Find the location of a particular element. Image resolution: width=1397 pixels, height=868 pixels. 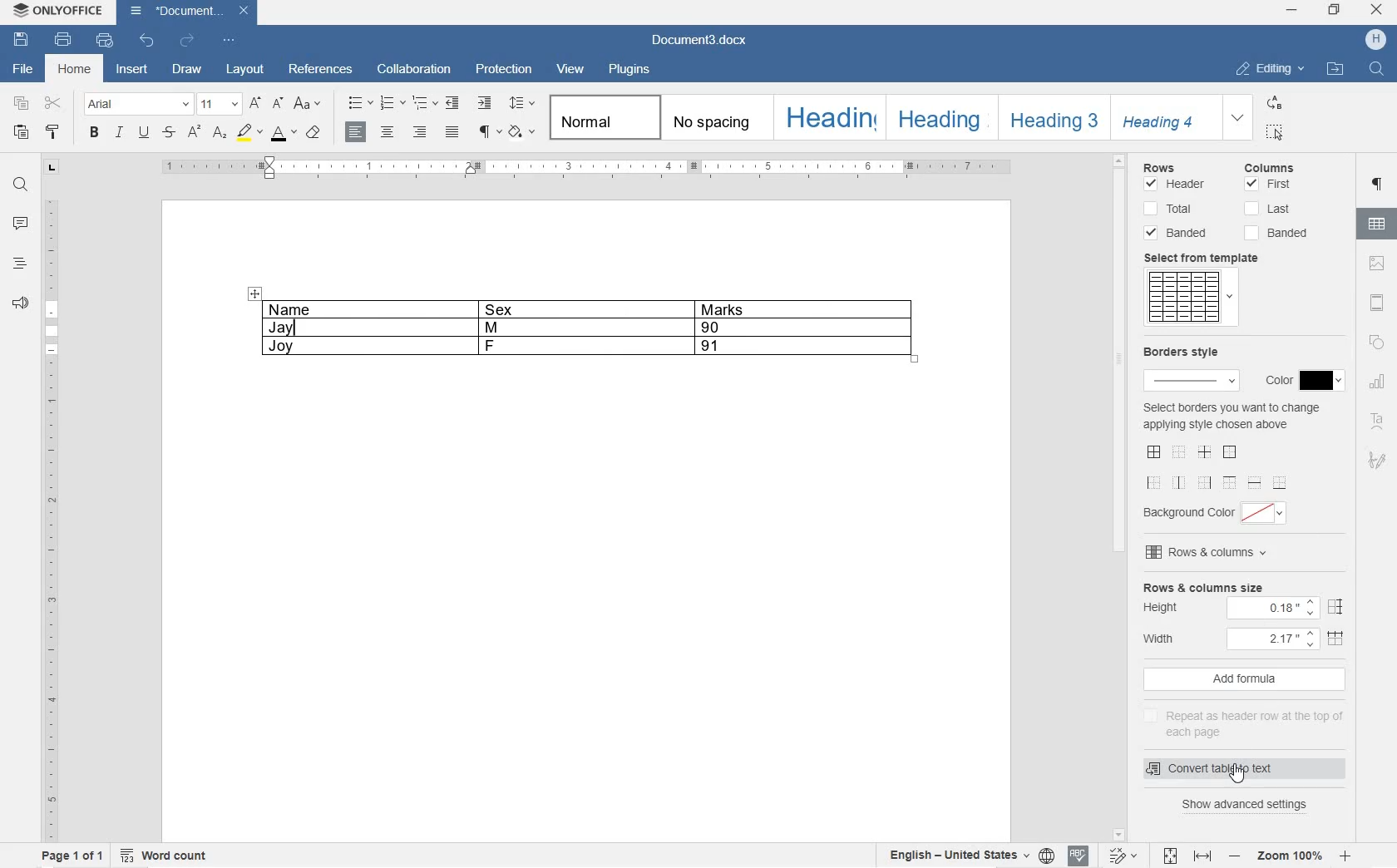

FILE is located at coordinates (20, 70).